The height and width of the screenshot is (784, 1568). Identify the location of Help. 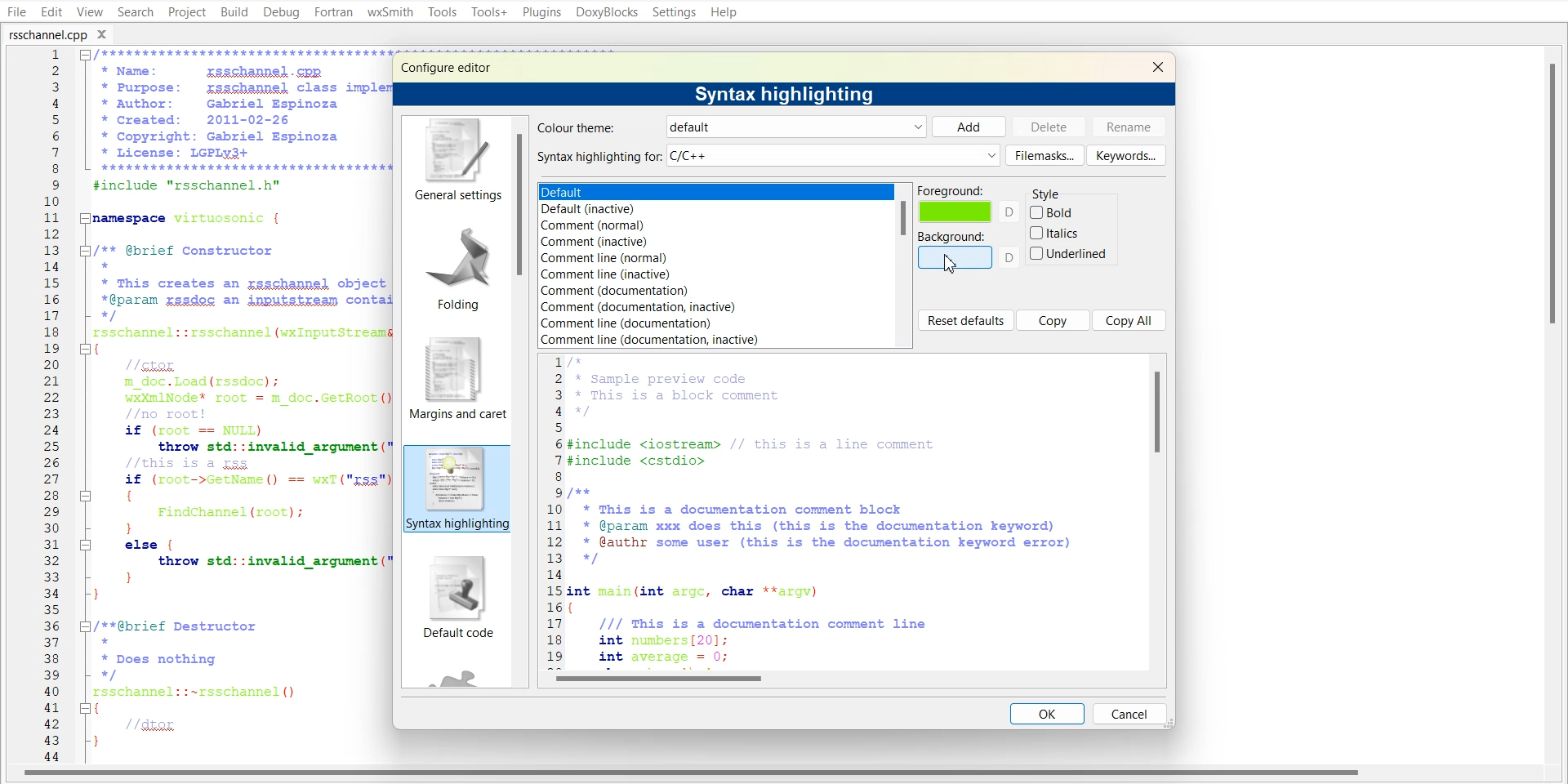
(724, 11).